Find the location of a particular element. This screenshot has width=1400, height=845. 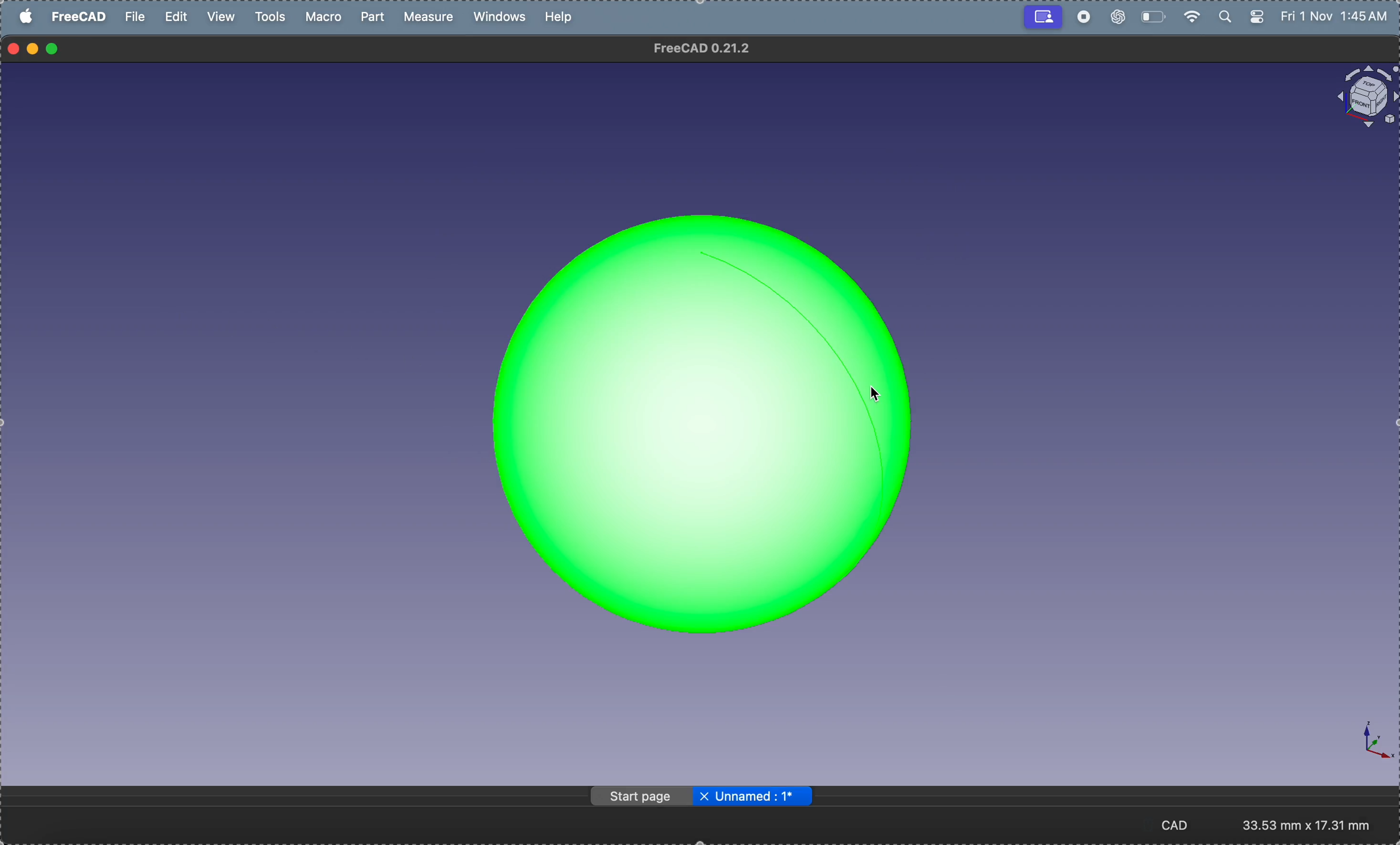

chatgpt is located at coordinates (1116, 18).